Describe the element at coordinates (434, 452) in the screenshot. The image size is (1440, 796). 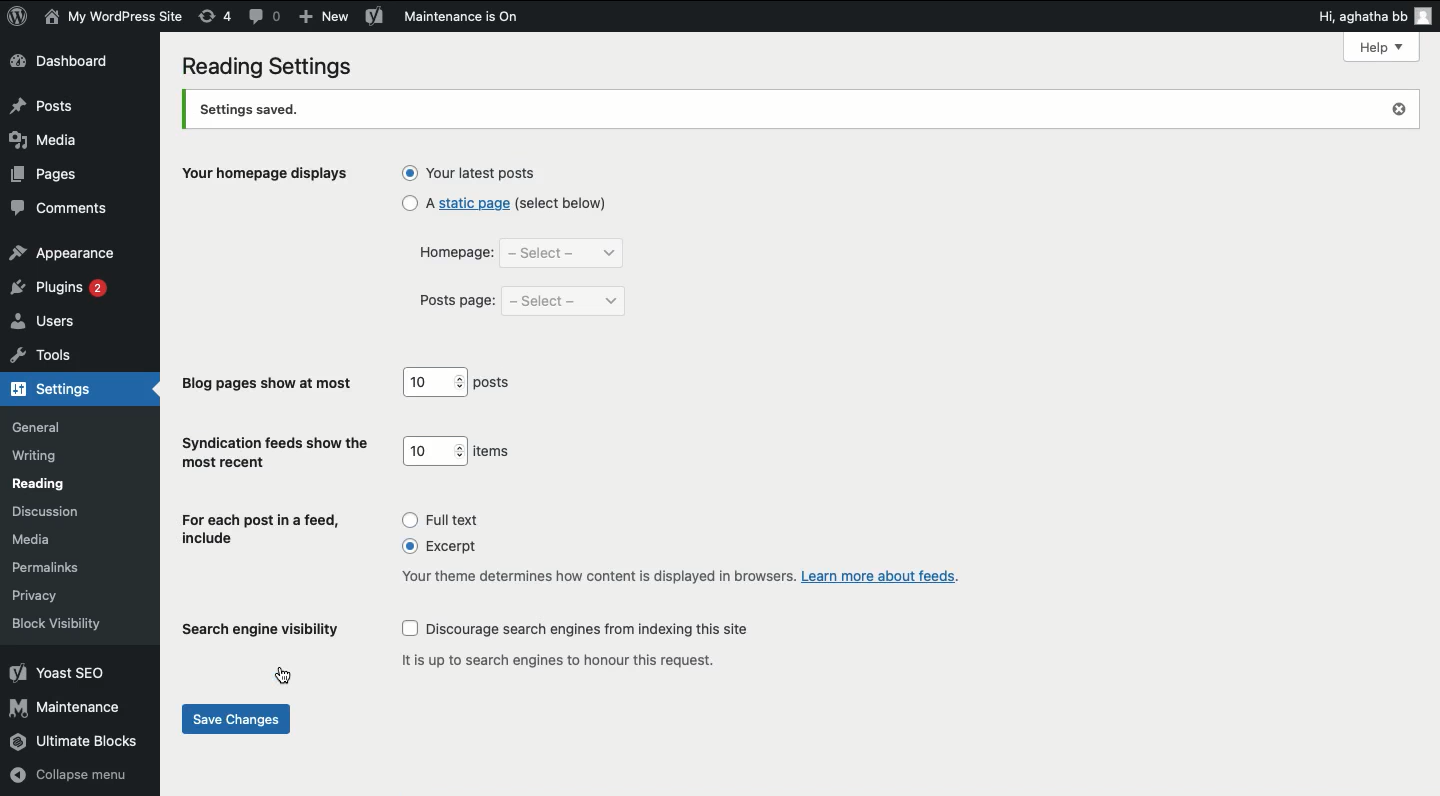
I see `10` at that location.